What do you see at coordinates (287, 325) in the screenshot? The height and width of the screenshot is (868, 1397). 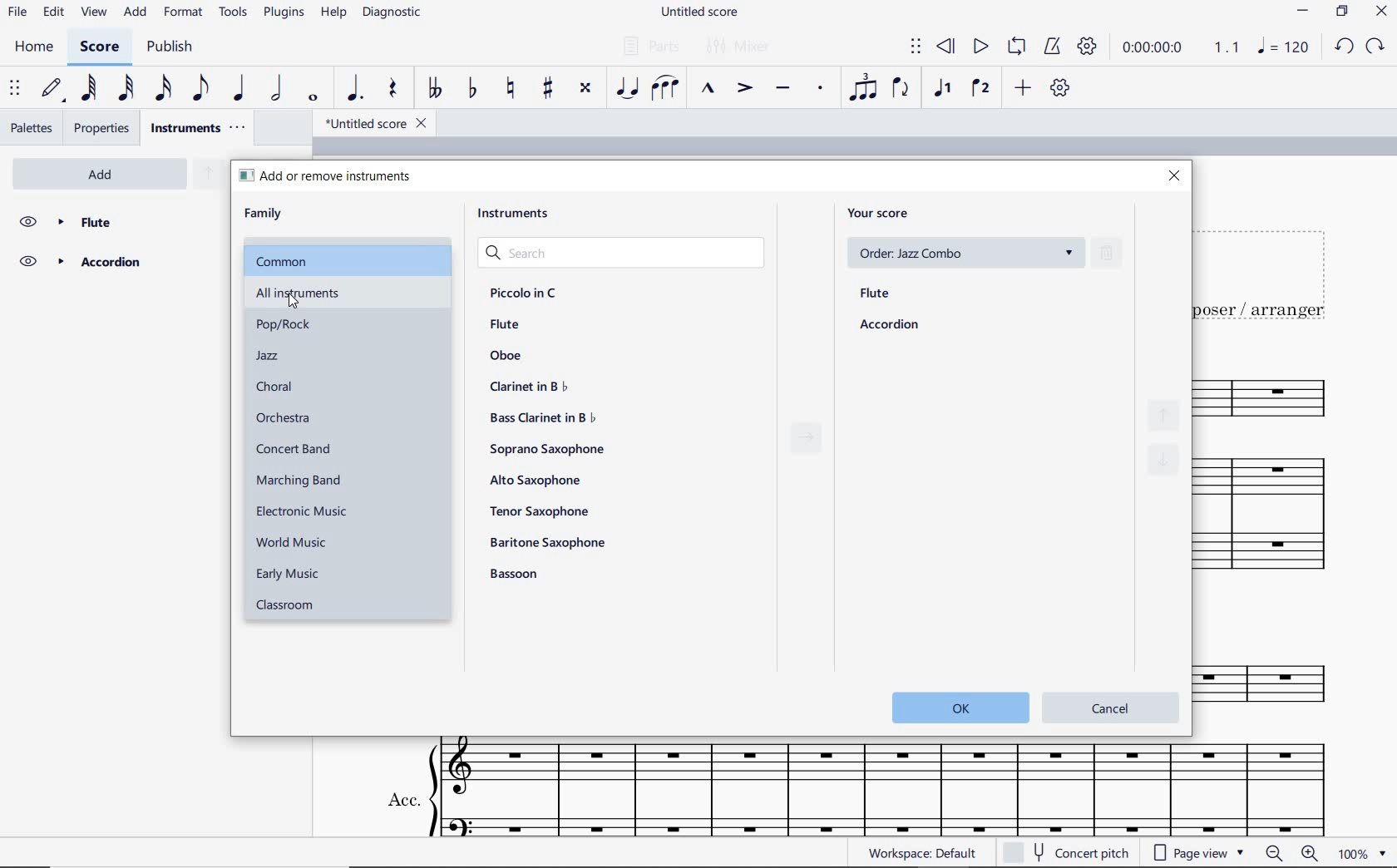 I see `pop/rock` at bounding box center [287, 325].